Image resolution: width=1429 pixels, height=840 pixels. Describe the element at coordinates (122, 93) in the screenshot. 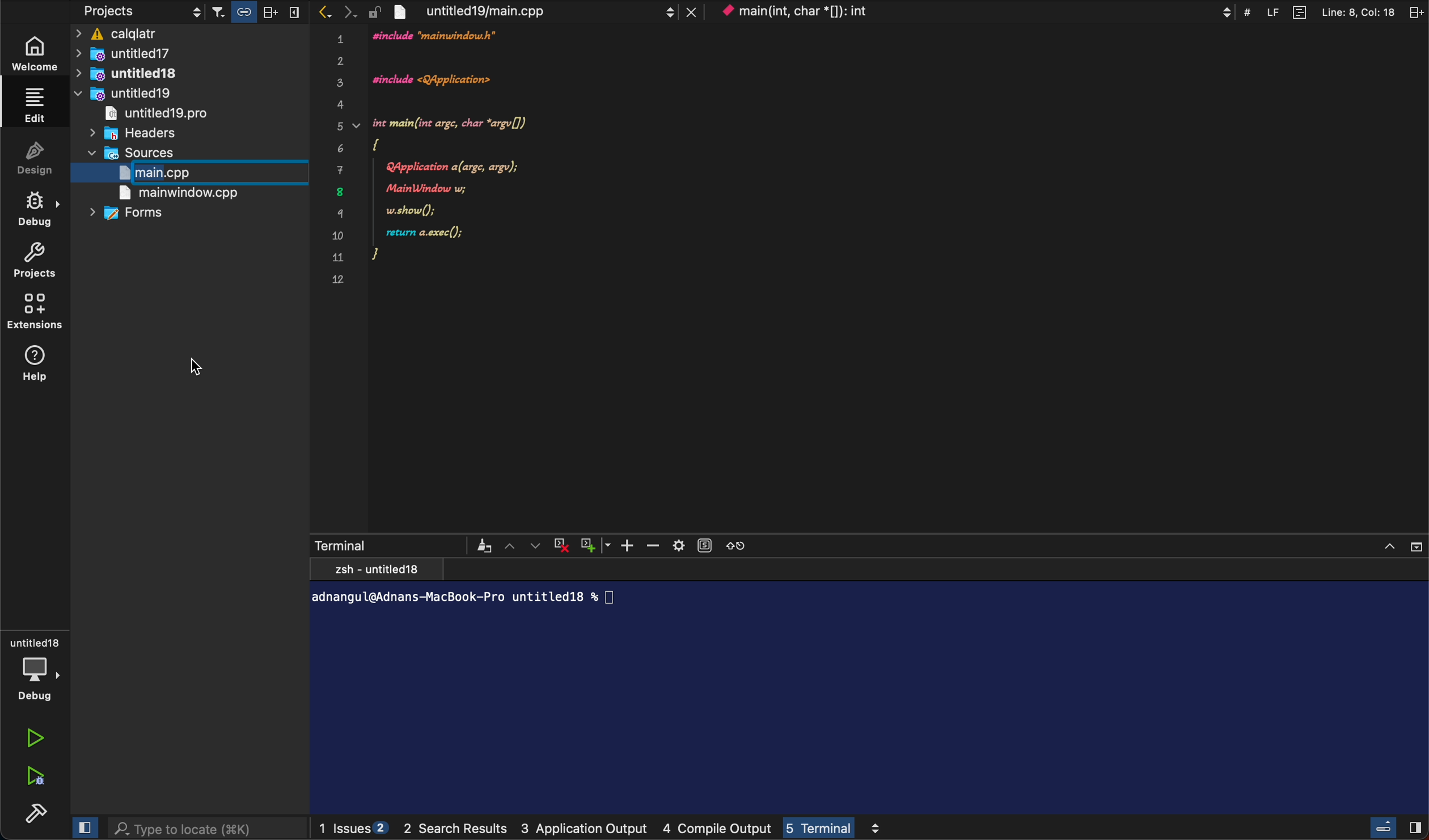

I see `untitled19` at that location.